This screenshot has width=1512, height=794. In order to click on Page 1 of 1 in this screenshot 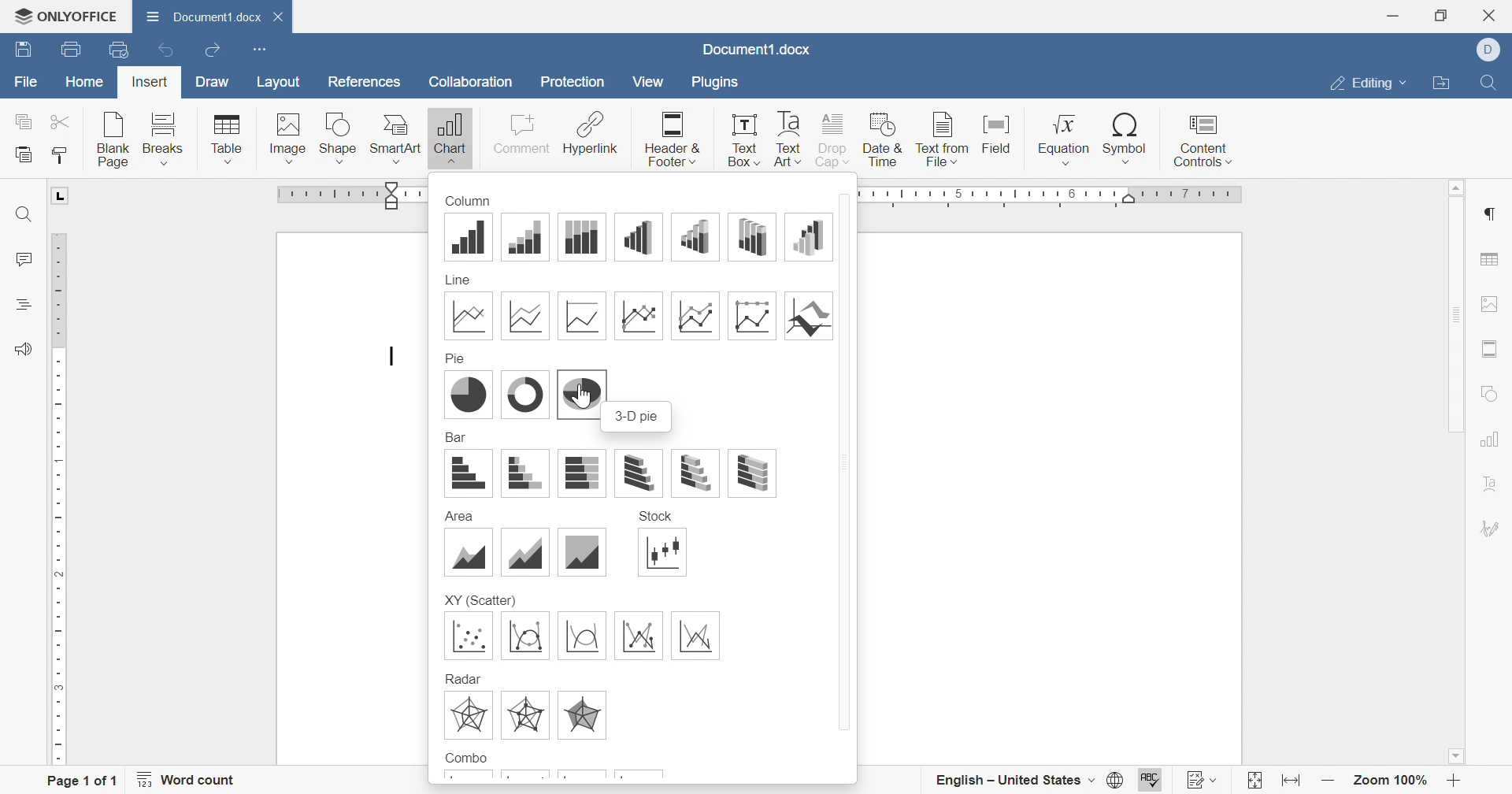, I will do `click(80, 781)`.